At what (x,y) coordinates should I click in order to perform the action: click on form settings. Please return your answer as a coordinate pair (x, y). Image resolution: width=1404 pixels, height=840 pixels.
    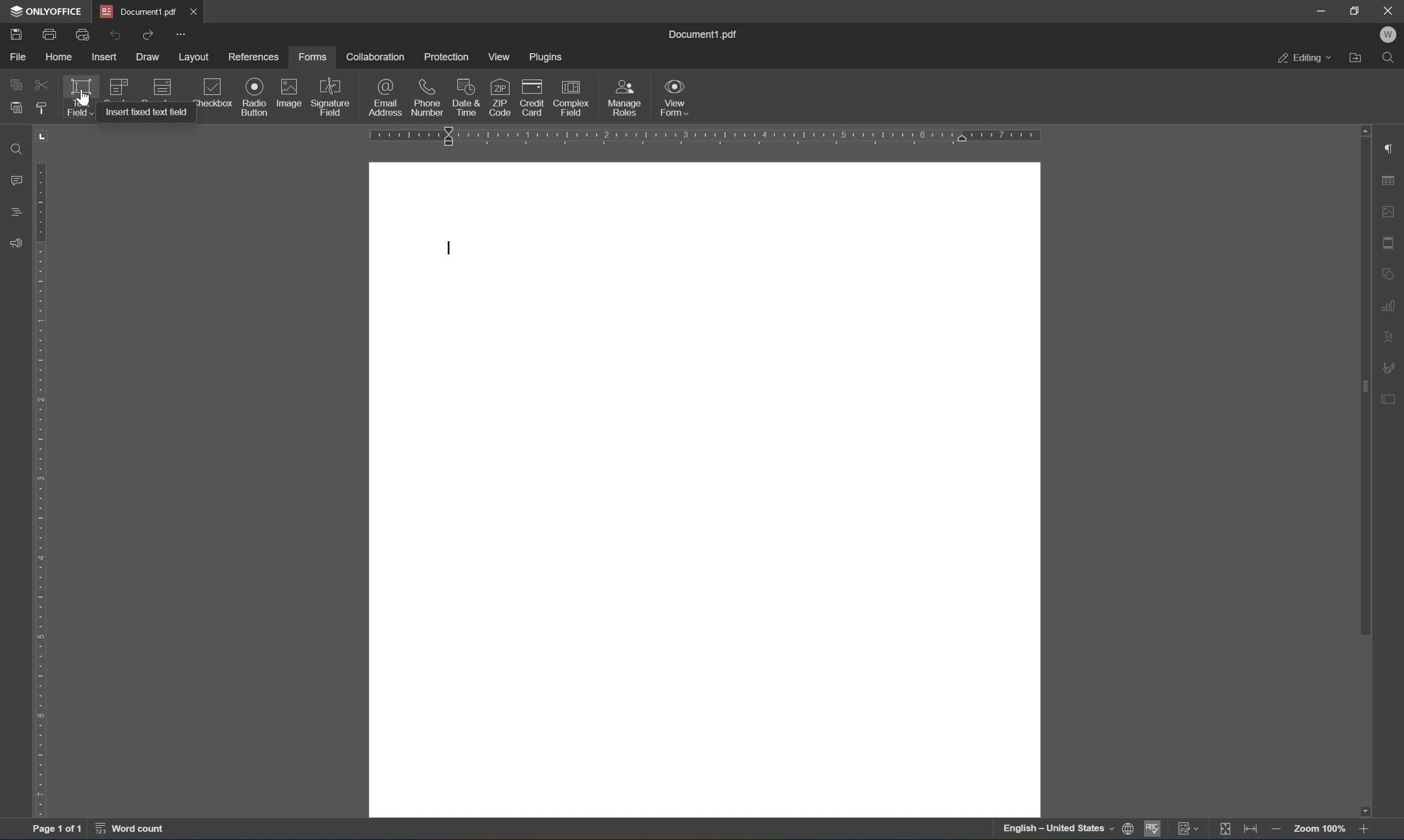
    Looking at the image, I should click on (1392, 397).